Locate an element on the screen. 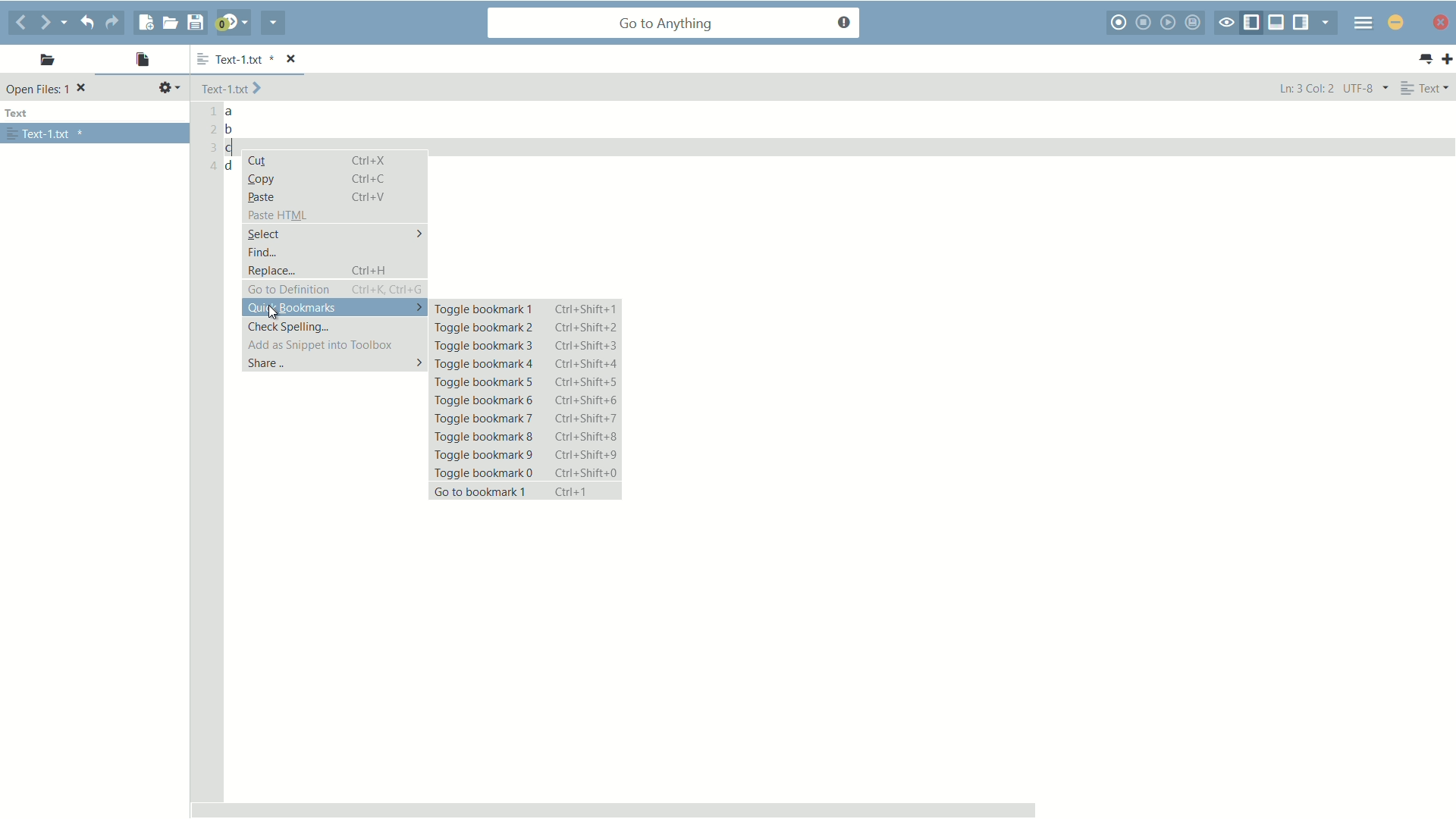 This screenshot has height=819, width=1456. quick bookmarks is located at coordinates (334, 308).